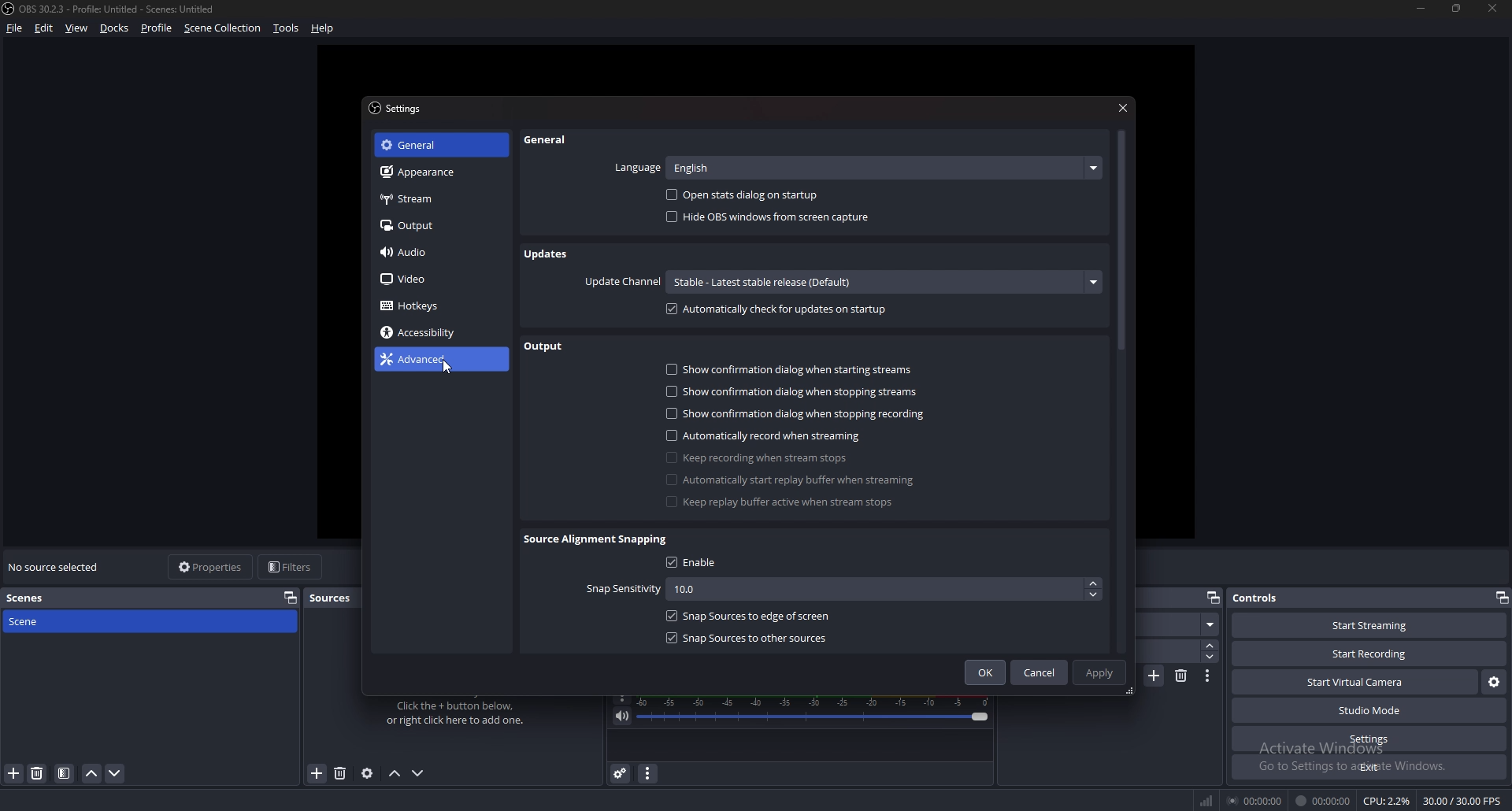 The width and height of the screenshot is (1512, 811). I want to click on audio mixer menu, so click(648, 774).